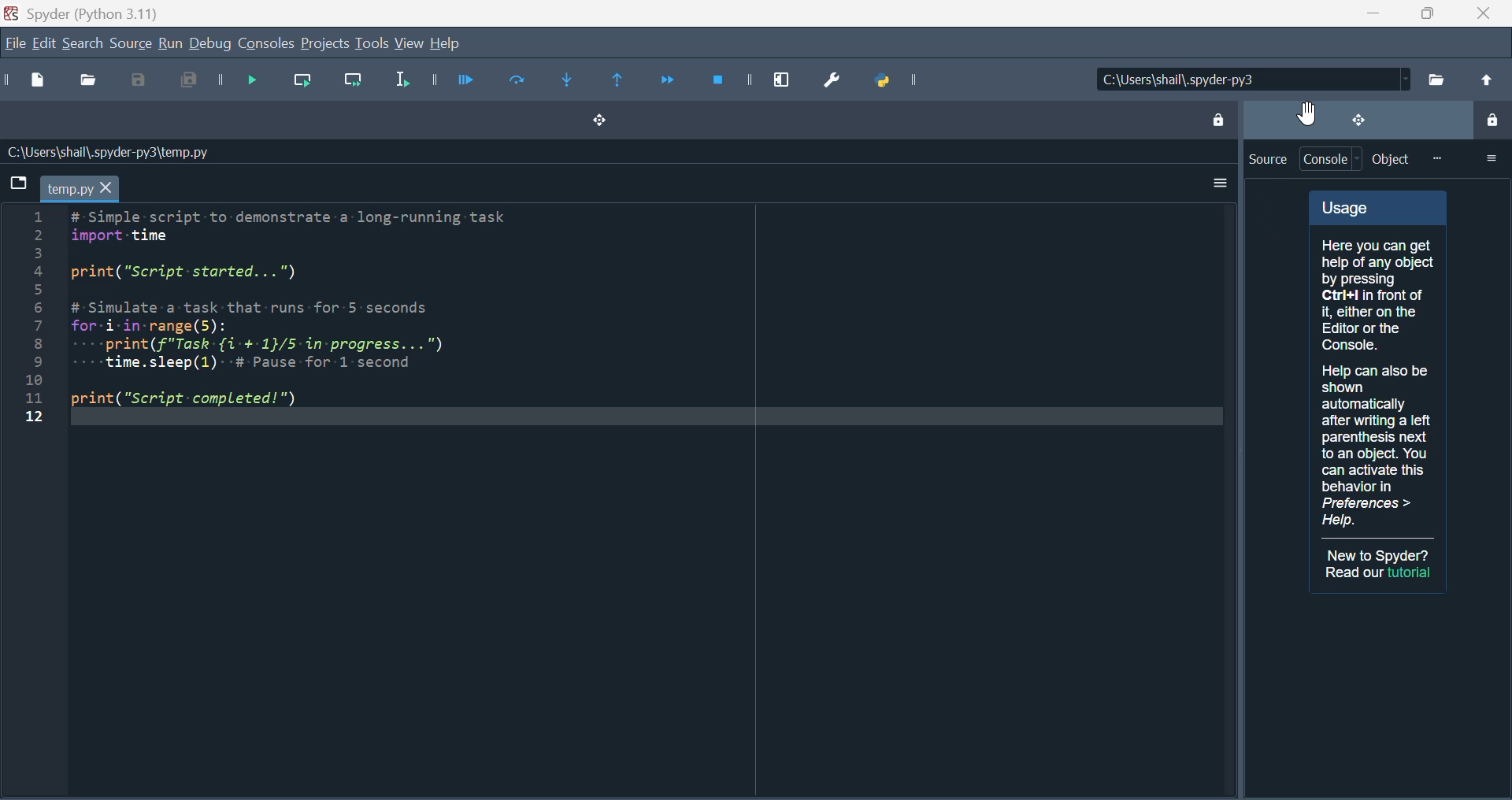 This screenshot has width=1512, height=800. Describe the element at coordinates (83, 43) in the screenshot. I see `search` at that location.